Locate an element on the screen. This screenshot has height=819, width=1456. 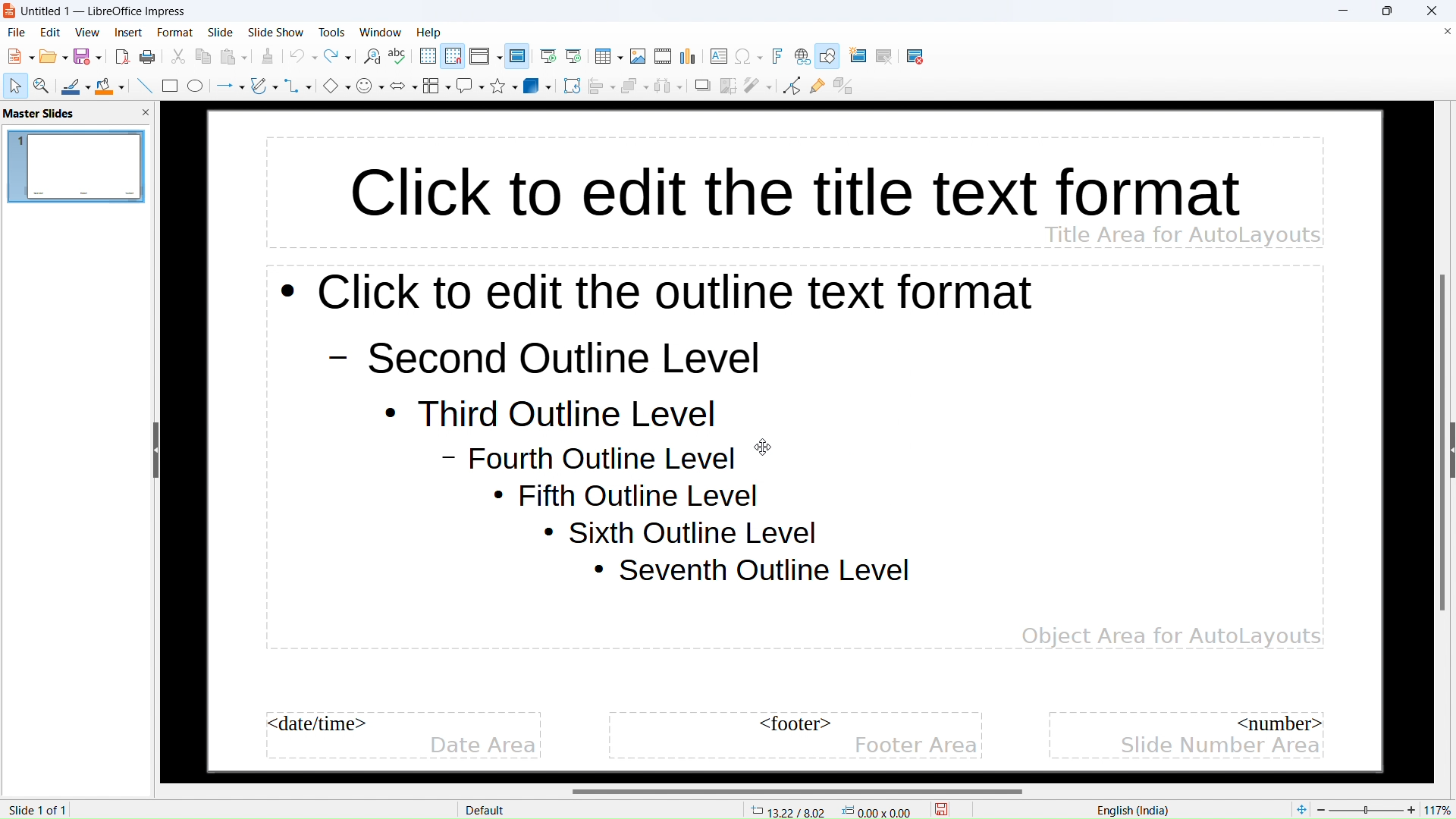
zoom factor is located at coordinates (1441, 808).